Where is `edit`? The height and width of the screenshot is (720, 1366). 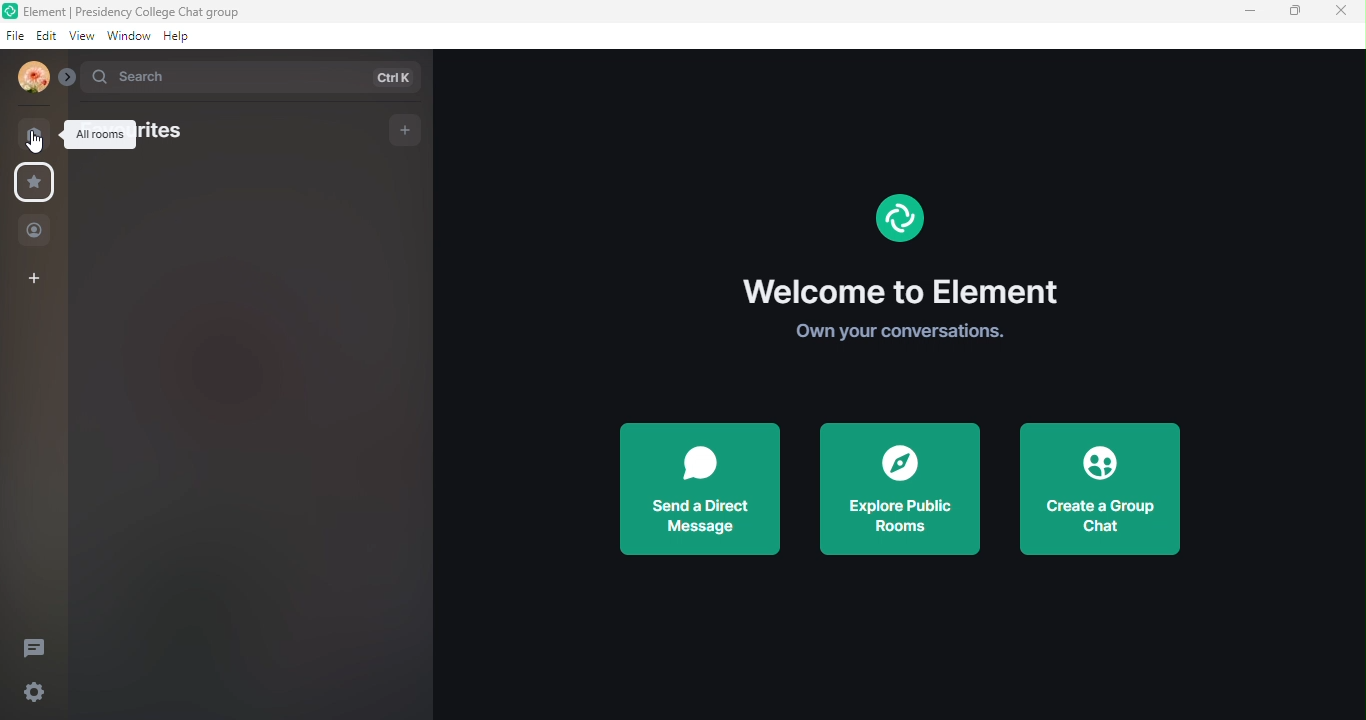
edit is located at coordinates (43, 36).